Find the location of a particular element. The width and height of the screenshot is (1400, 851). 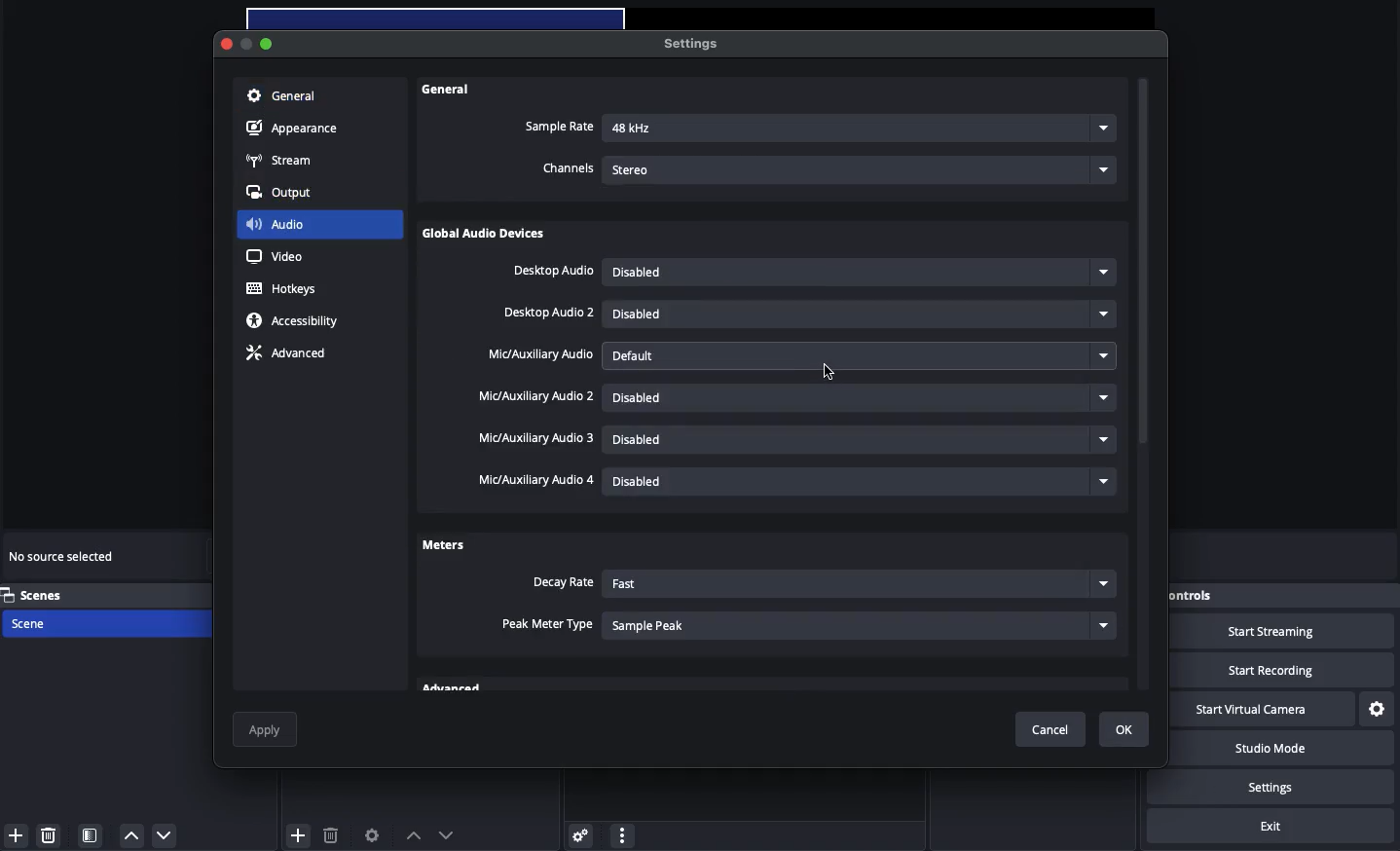

Channels is located at coordinates (569, 169).